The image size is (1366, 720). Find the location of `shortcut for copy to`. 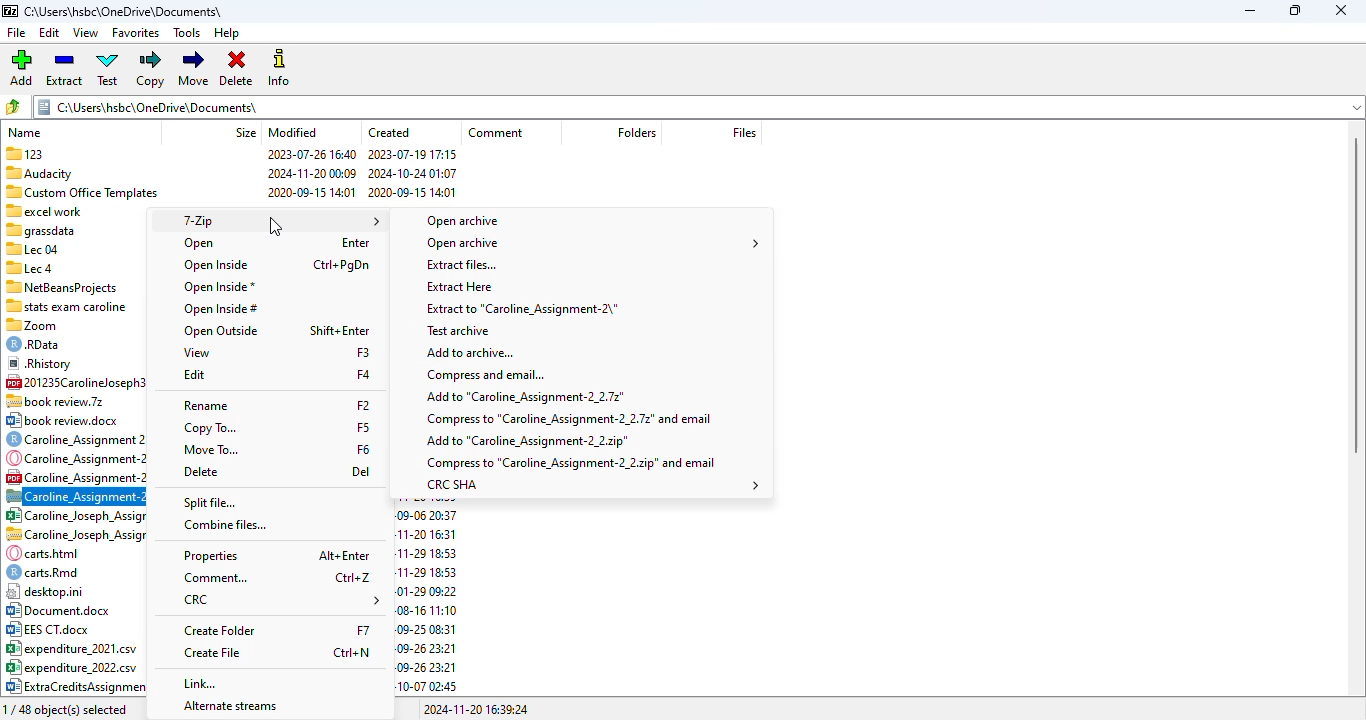

shortcut for copy to is located at coordinates (364, 427).